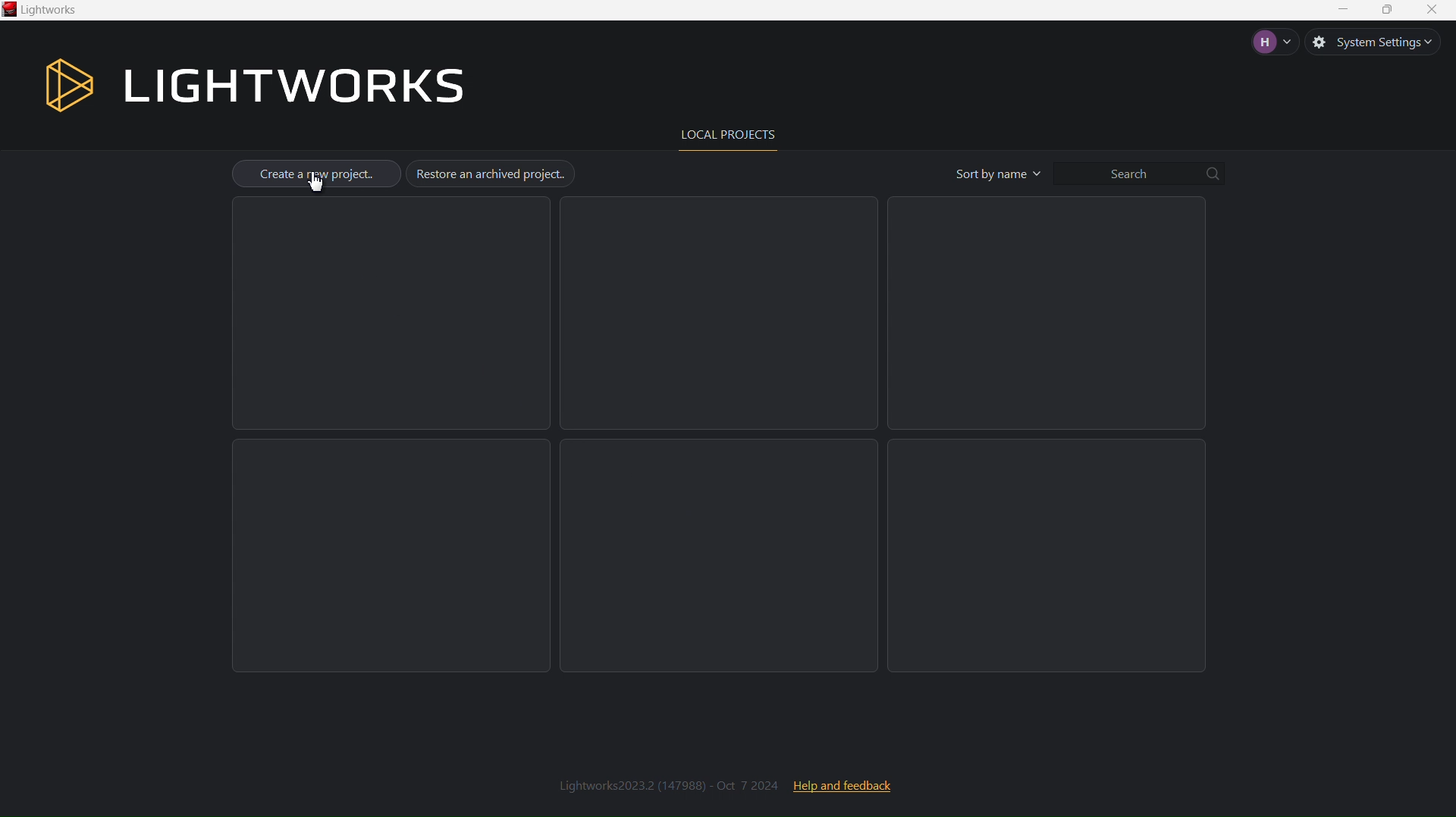 This screenshot has width=1456, height=817. What do you see at coordinates (1433, 11) in the screenshot?
I see `Close` at bounding box center [1433, 11].